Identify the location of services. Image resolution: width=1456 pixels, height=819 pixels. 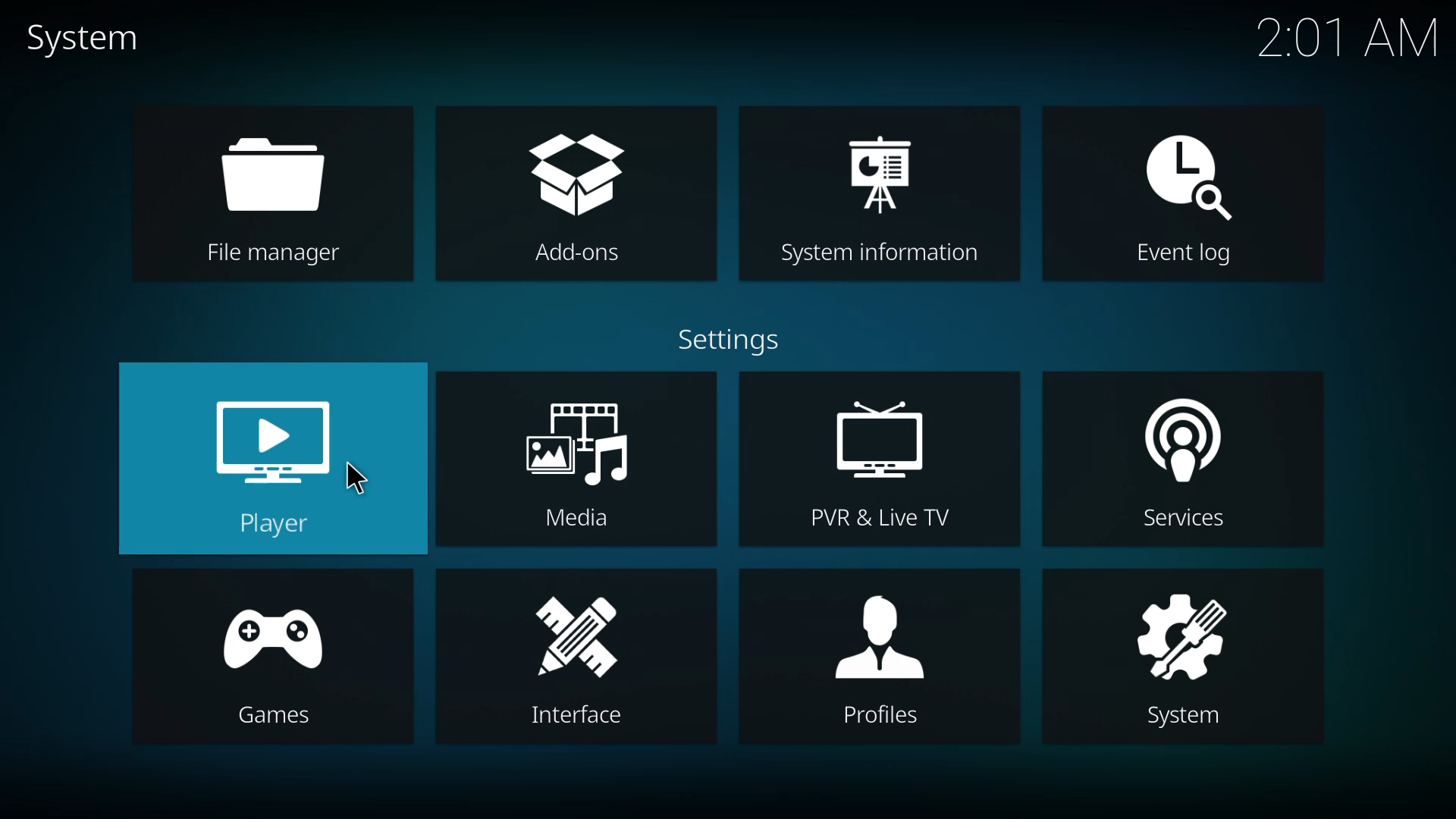
(1176, 460).